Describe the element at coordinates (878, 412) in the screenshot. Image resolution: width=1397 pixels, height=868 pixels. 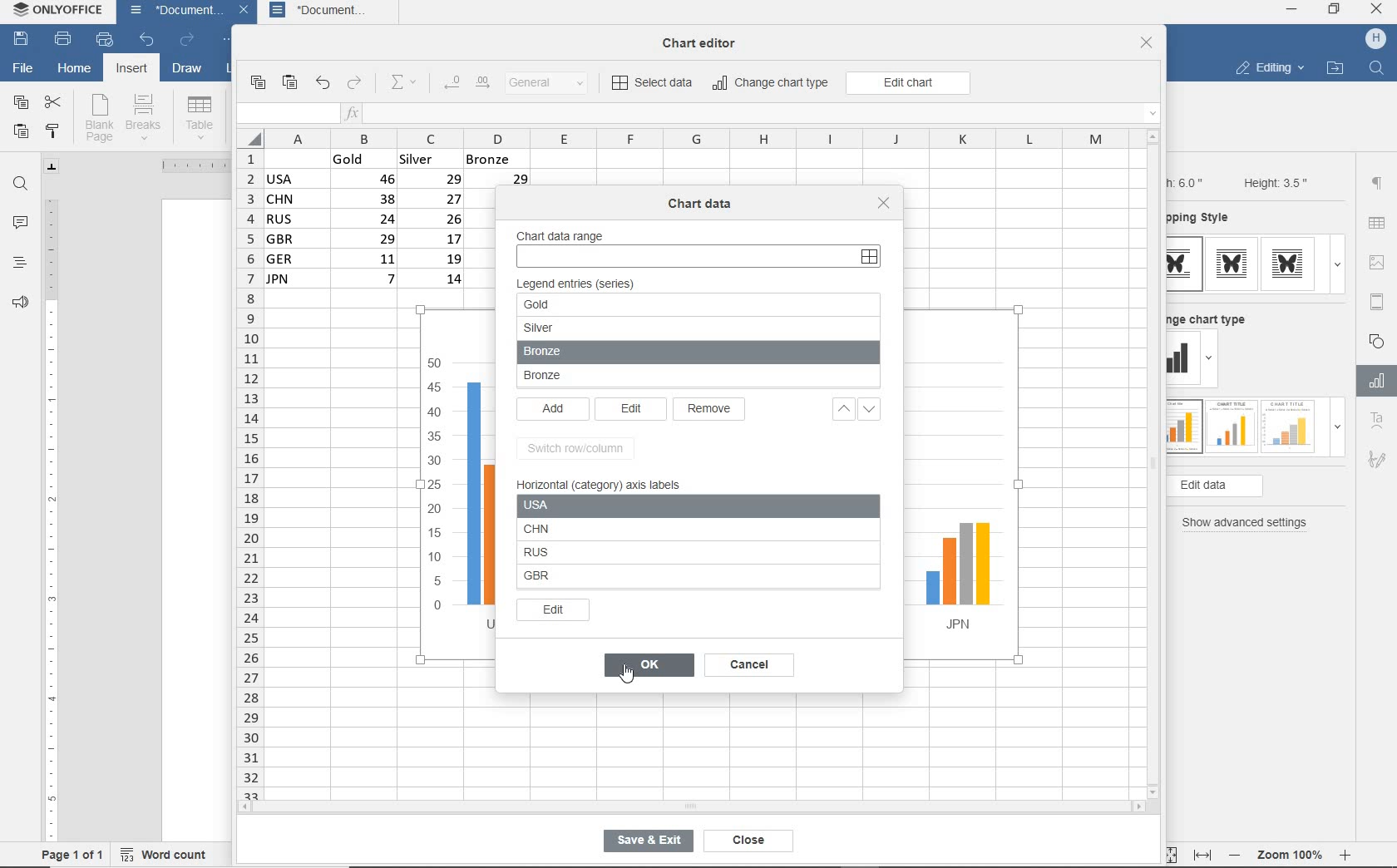
I see `down` at that location.